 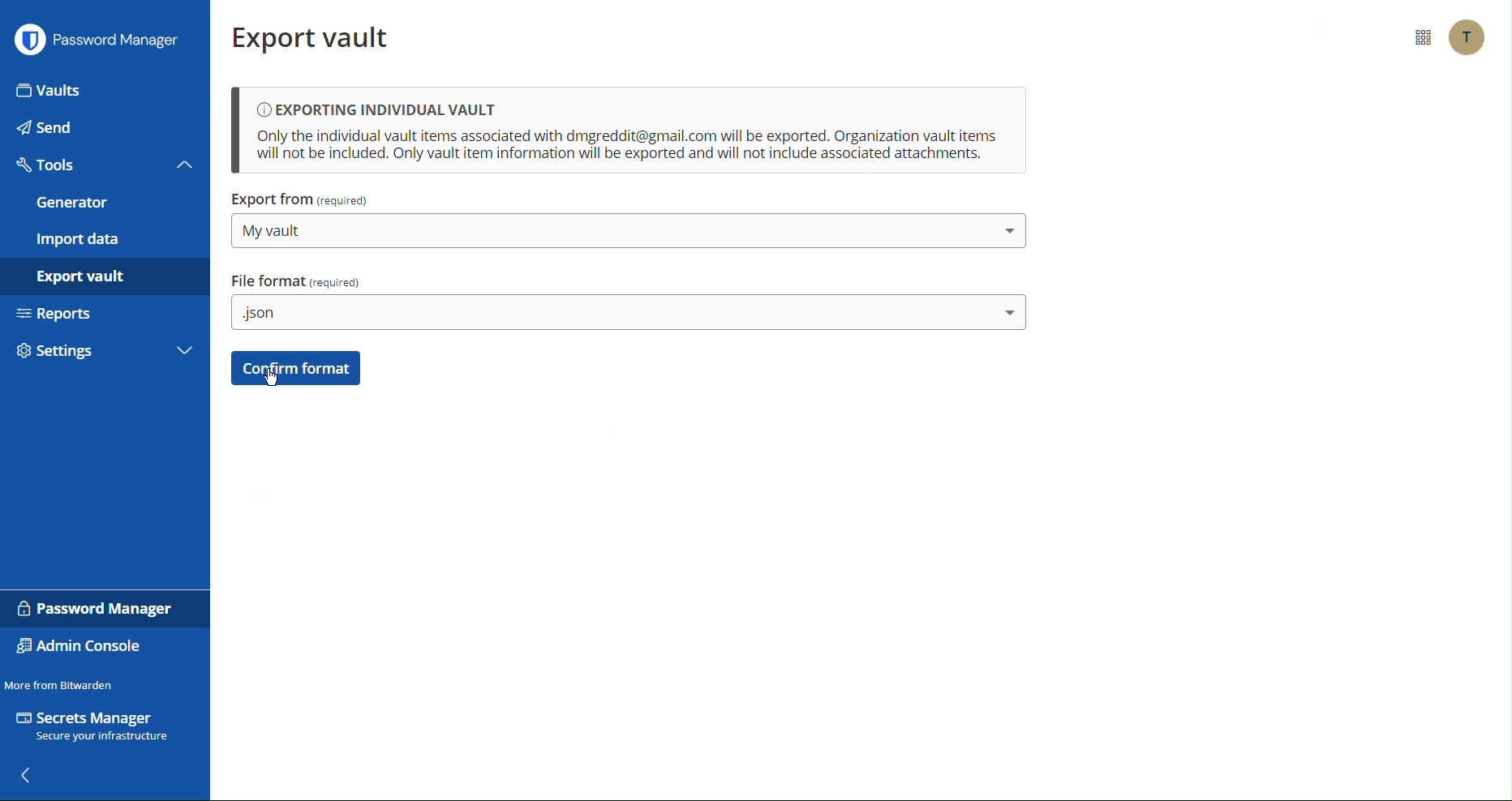 What do you see at coordinates (101, 43) in the screenshot?
I see `Password Manager` at bounding box center [101, 43].